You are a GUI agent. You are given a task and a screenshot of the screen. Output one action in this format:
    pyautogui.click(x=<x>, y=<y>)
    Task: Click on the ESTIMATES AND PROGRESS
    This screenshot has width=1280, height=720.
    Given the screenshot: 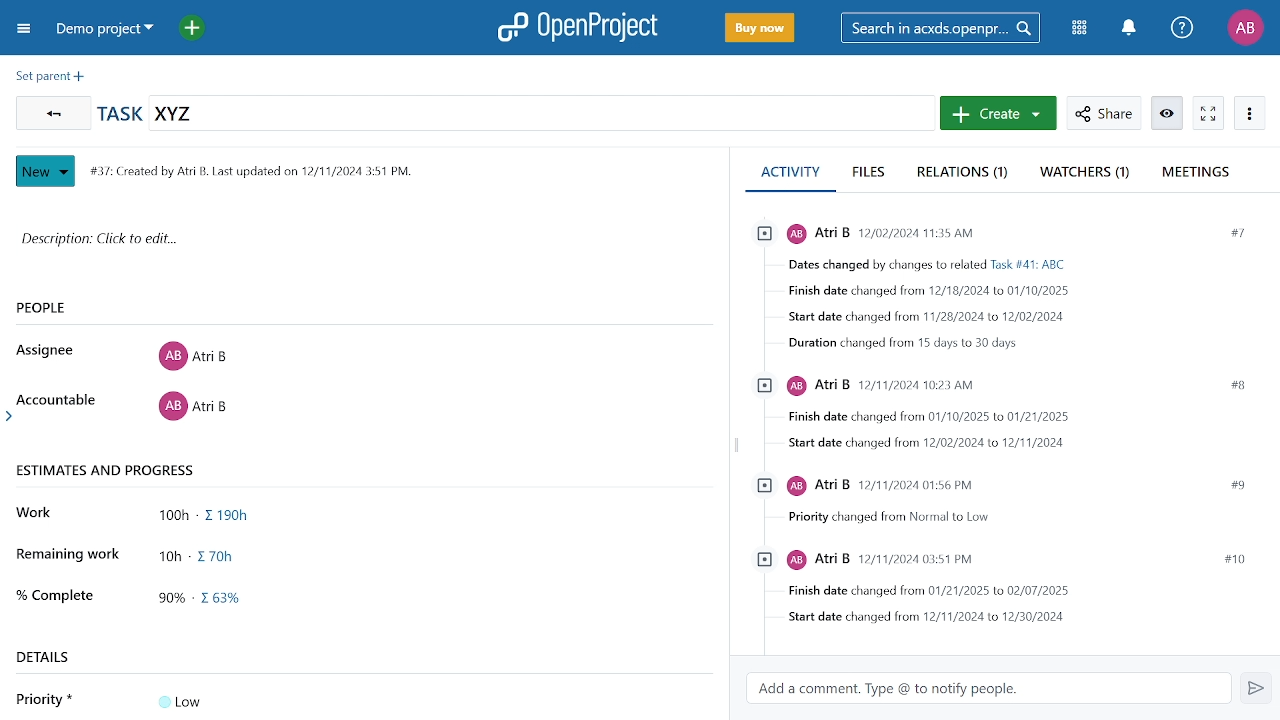 What is the action you would take?
    pyautogui.click(x=106, y=471)
    